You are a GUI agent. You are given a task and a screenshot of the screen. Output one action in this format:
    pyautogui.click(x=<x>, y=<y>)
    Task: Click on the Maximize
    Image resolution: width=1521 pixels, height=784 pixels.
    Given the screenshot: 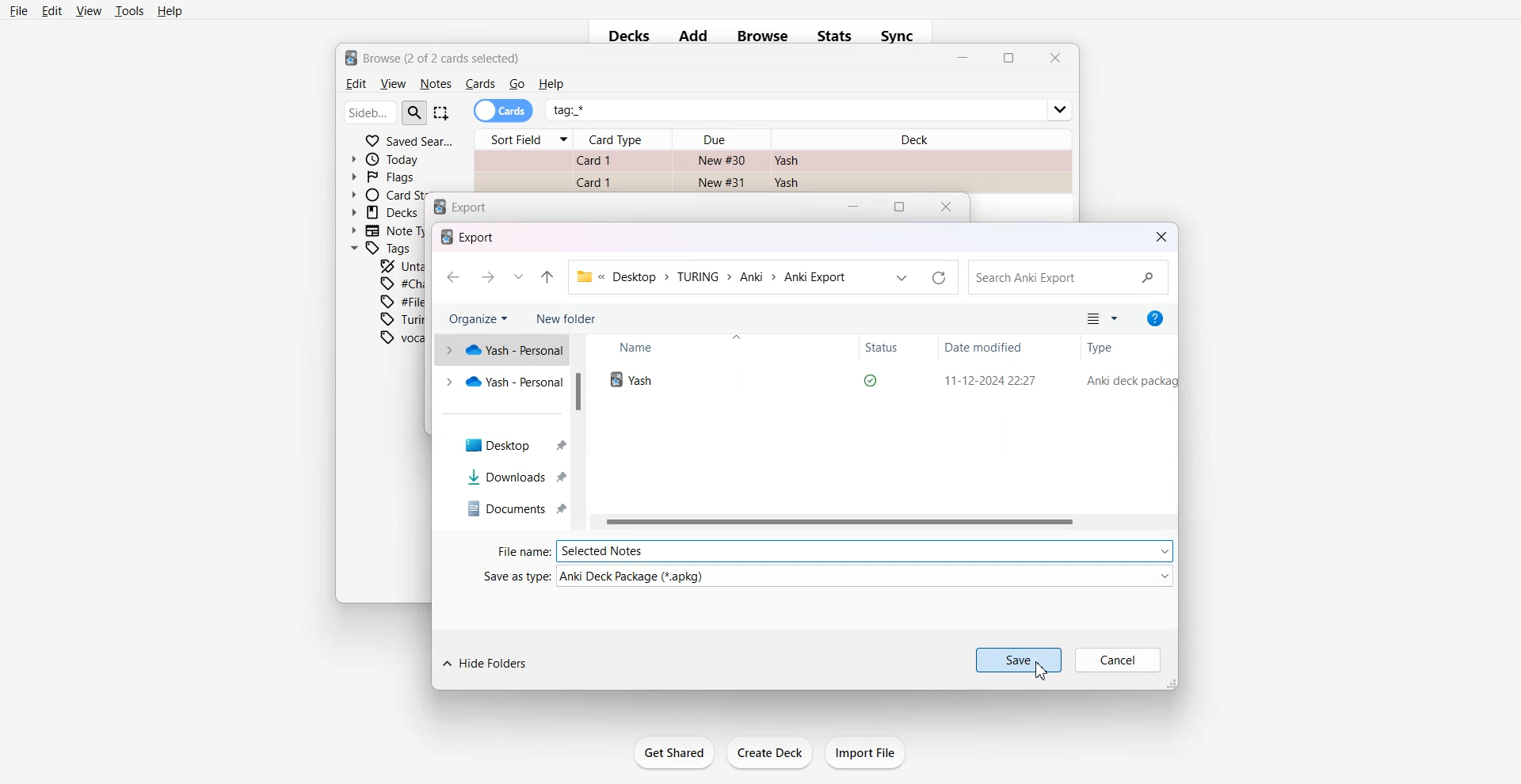 What is the action you would take?
    pyautogui.click(x=1008, y=59)
    